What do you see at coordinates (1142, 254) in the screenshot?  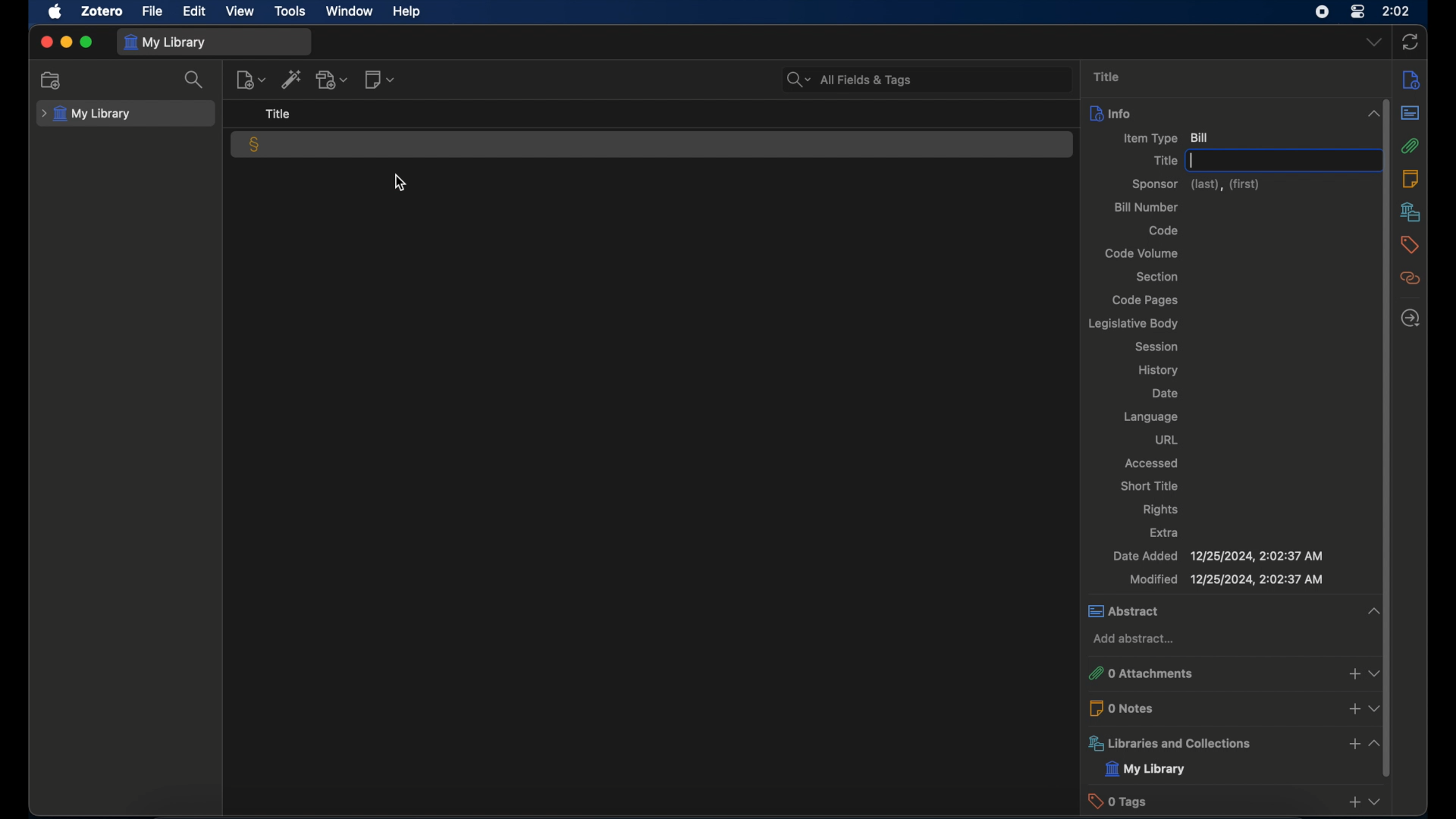 I see `code volum` at bounding box center [1142, 254].